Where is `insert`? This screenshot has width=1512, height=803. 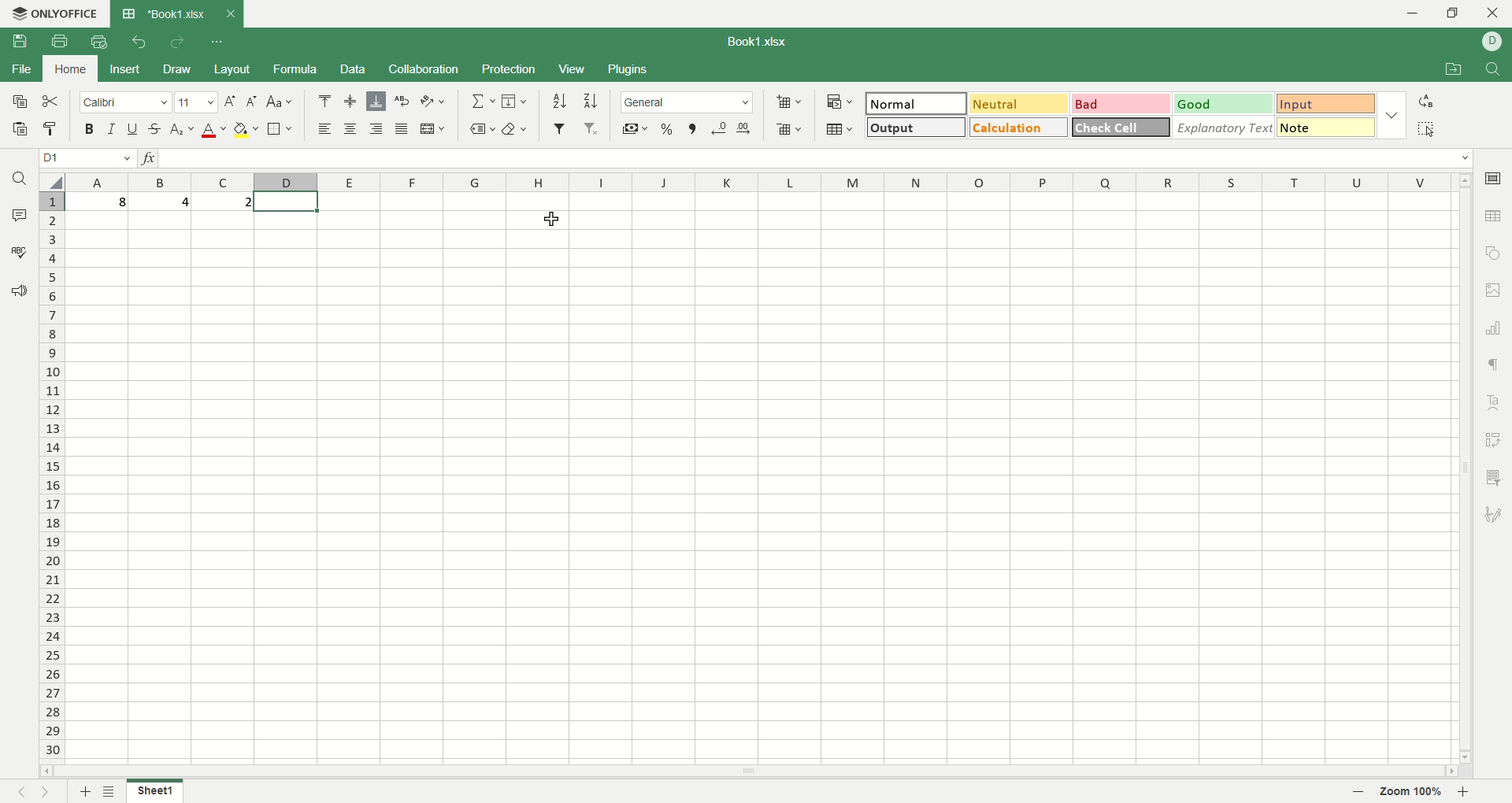
insert is located at coordinates (124, 70).